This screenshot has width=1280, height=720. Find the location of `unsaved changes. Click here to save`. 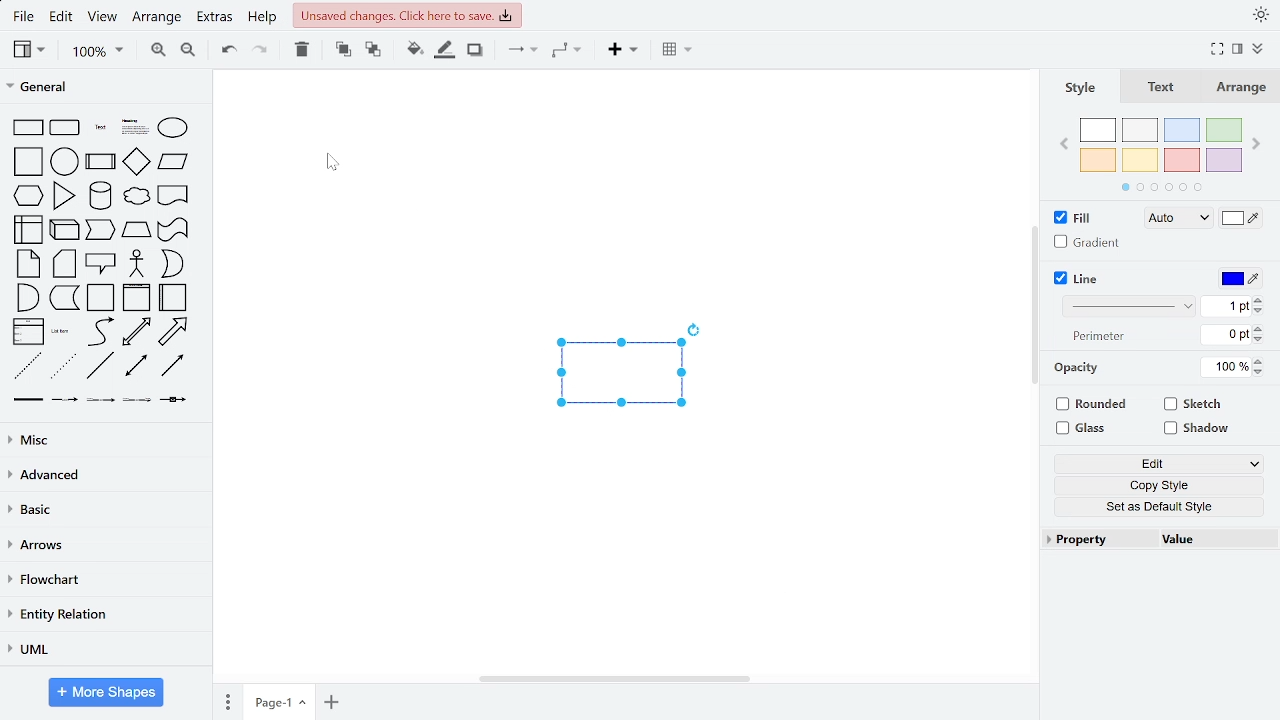

unsaved changes. Click here to save is located at coordinates (406, 15).